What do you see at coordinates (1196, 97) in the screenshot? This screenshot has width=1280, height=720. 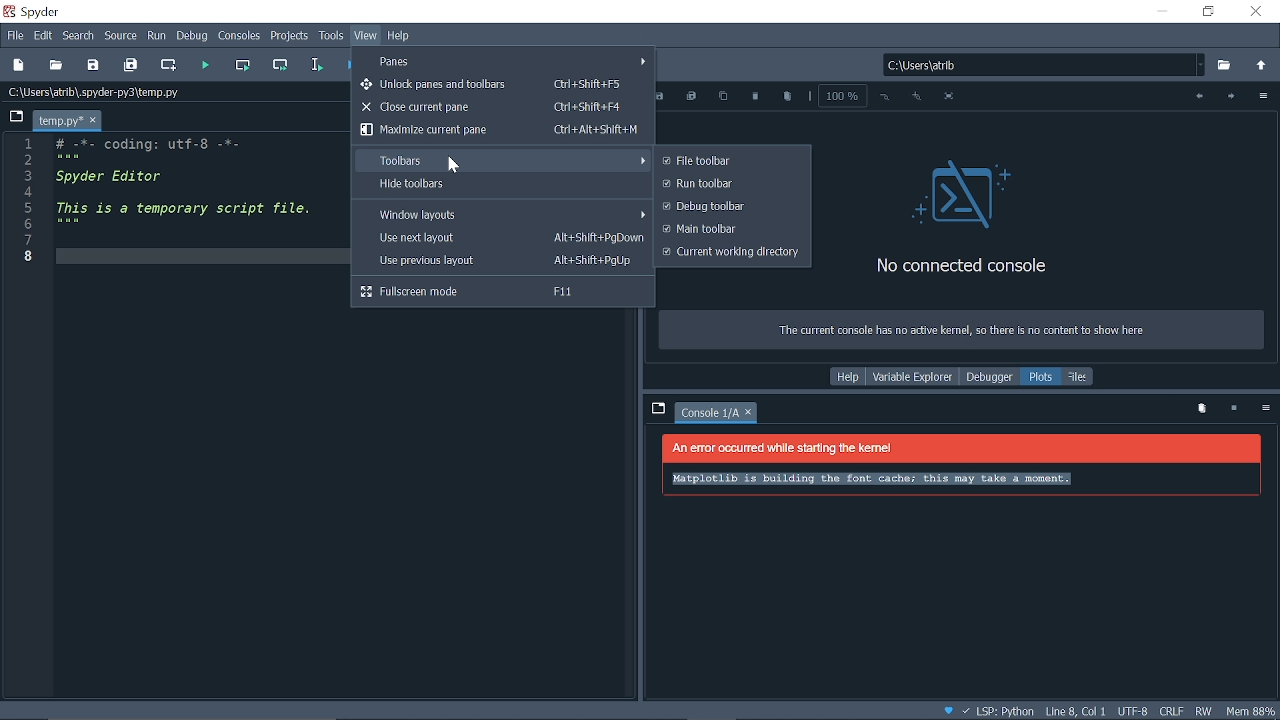 I see `Previous plot` at bounding box center [1196, 97].